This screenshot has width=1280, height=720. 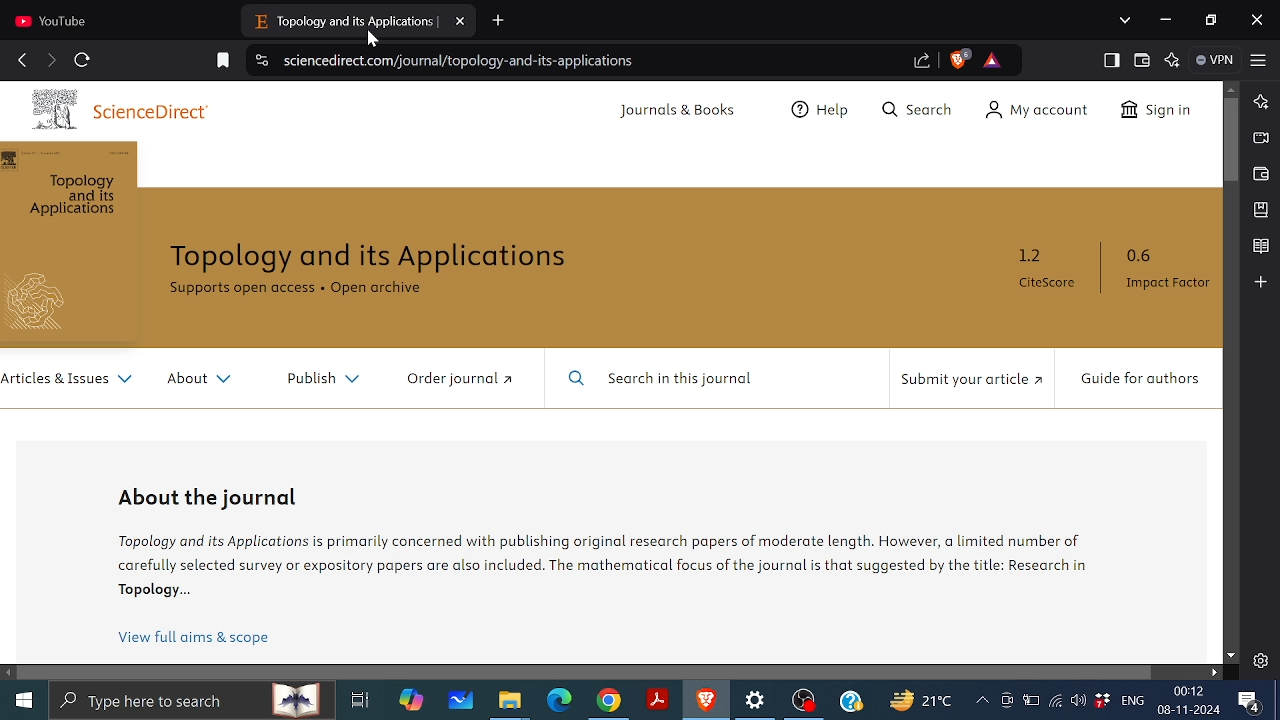 I want to click on Start, so click(x=22, y=697).